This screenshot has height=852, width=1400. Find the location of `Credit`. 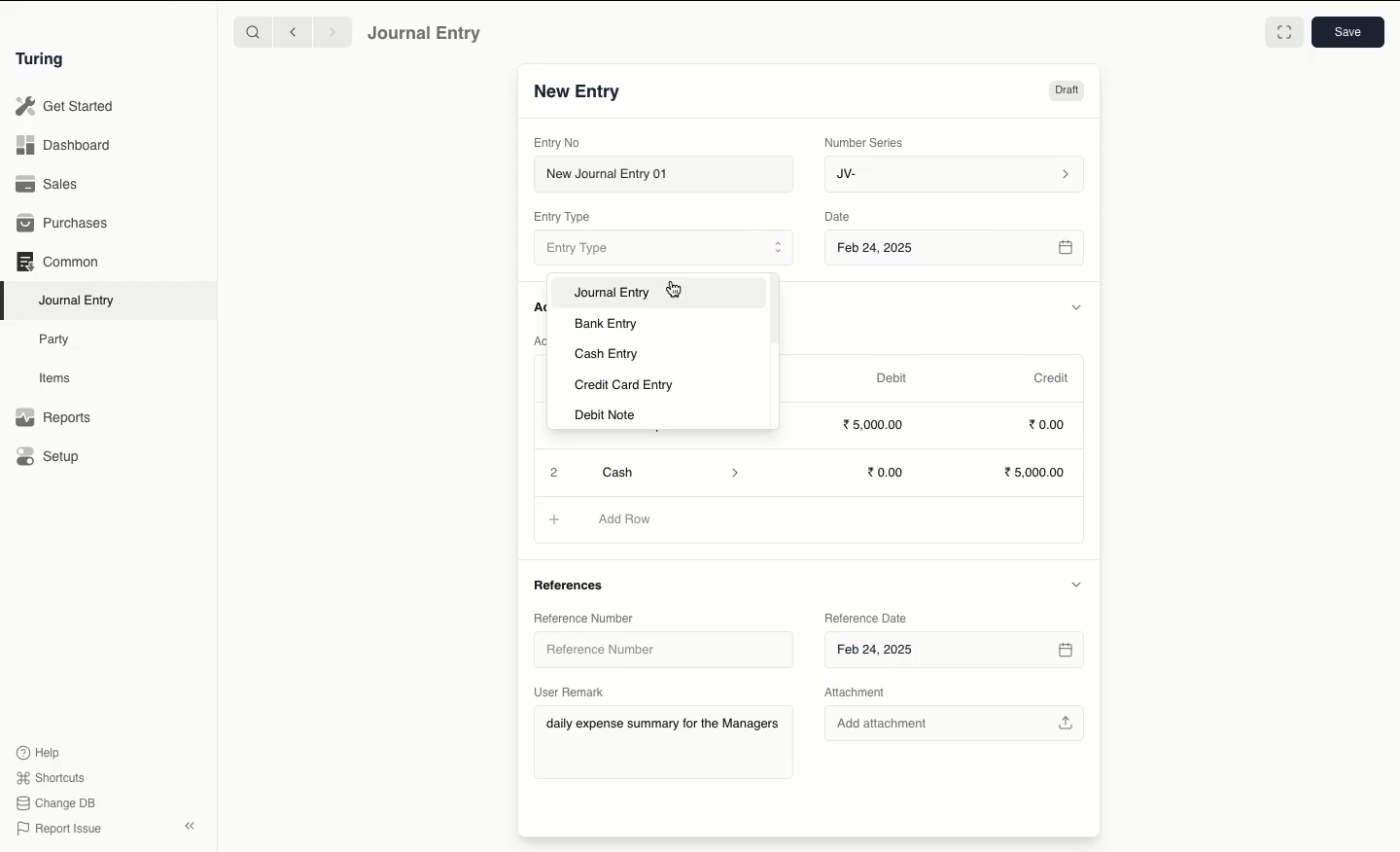

Credit is located at coordinates (1053, 378).